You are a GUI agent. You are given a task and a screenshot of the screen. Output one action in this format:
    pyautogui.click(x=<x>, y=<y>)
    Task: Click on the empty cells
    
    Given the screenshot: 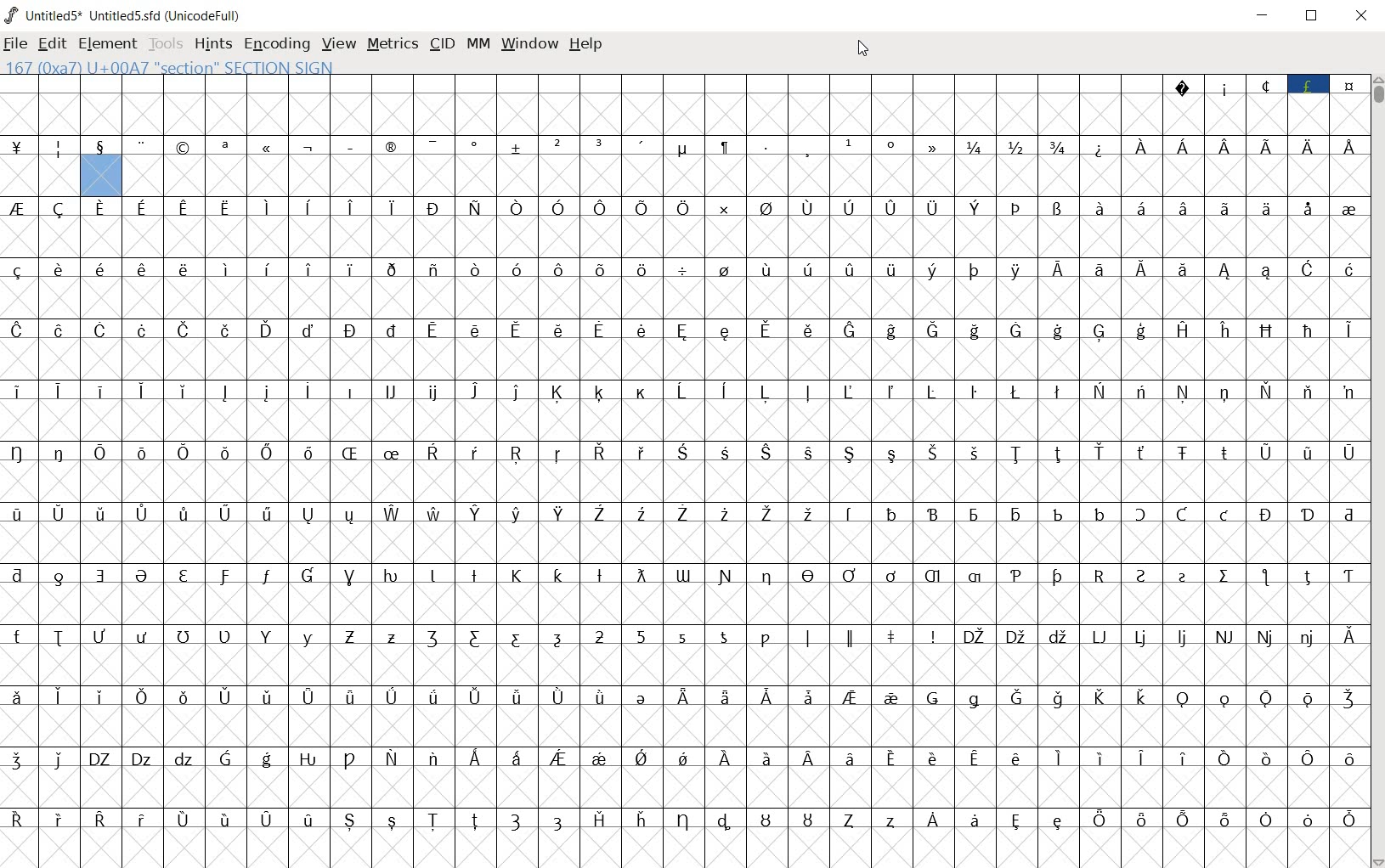 What is the action you would take?
    pyautogui.click(x=685, y=848)
    